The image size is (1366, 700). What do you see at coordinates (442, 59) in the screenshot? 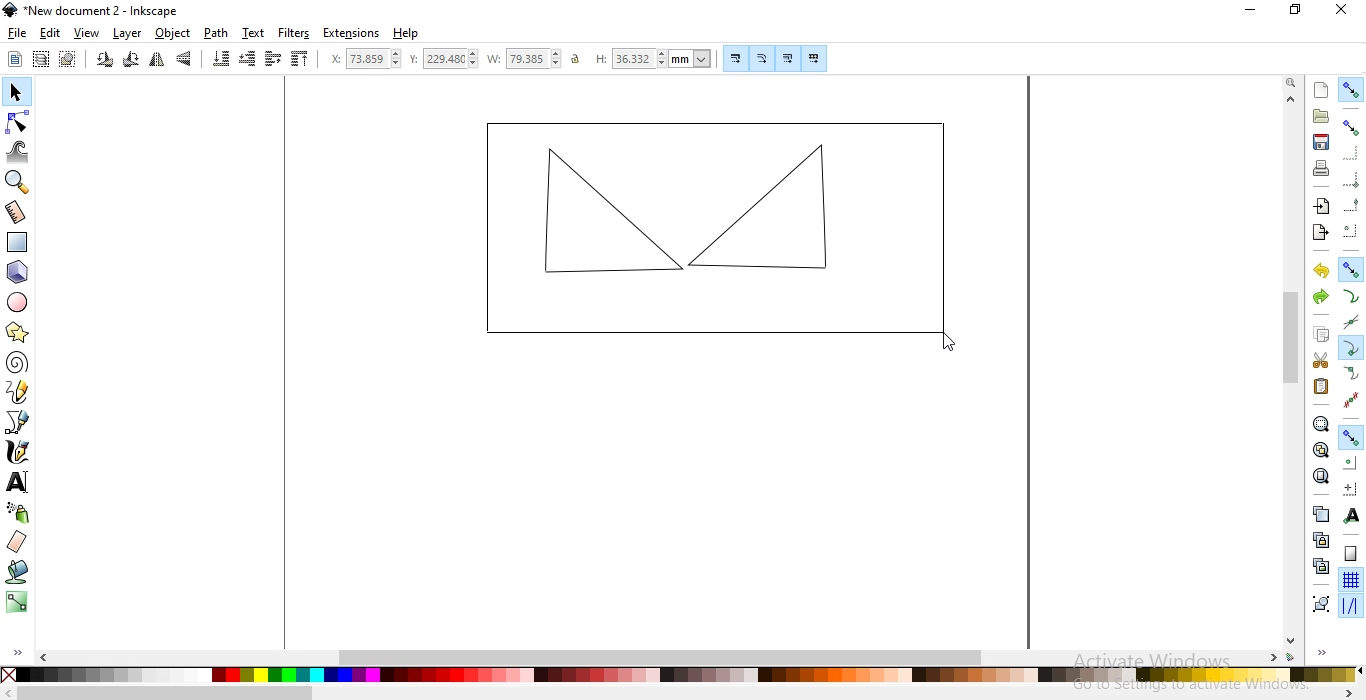
I see `vertical coordinate of selection` at bounding box center [442, 59].